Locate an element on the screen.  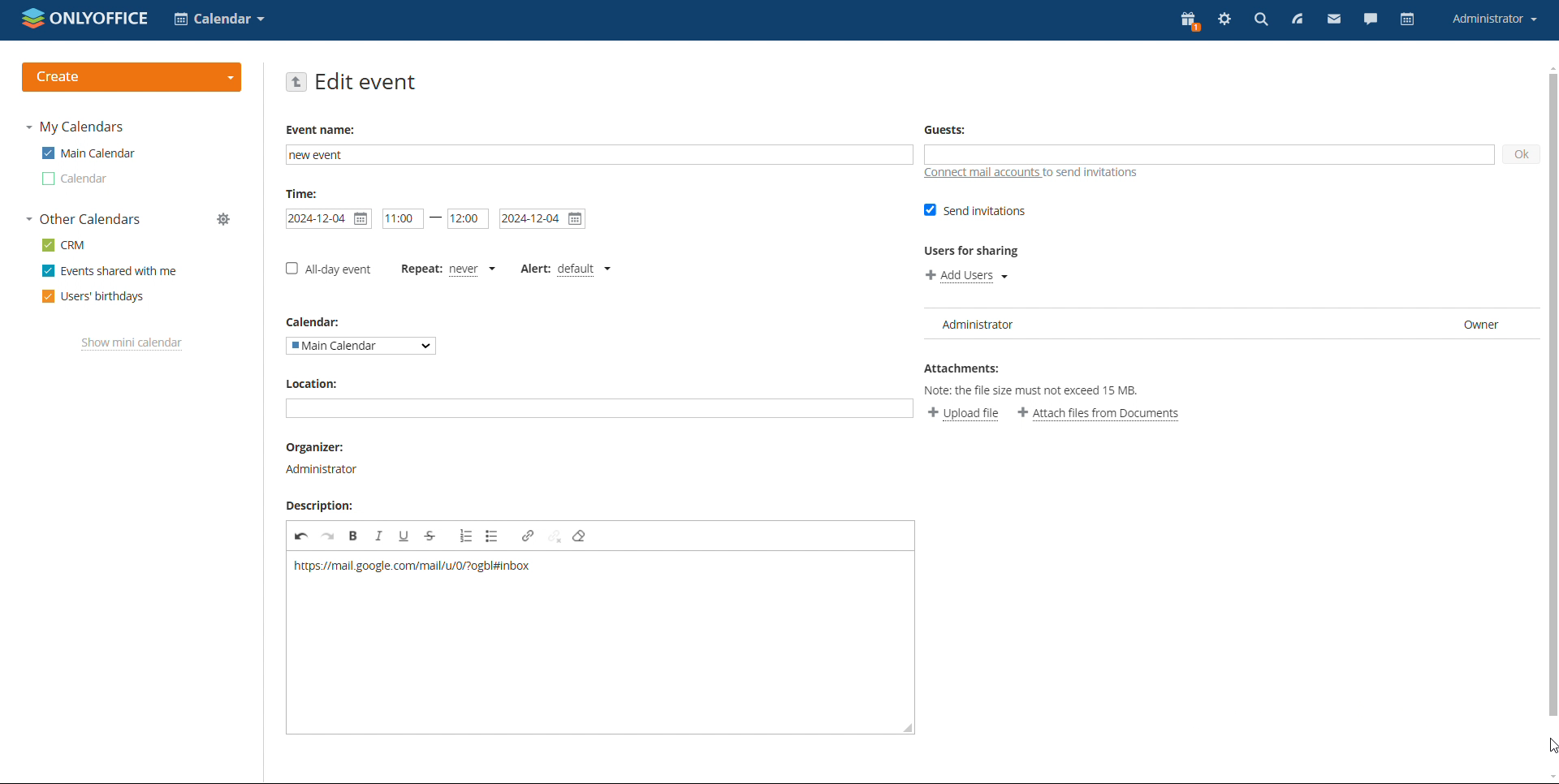
underline is located at coordinates (404, 536).